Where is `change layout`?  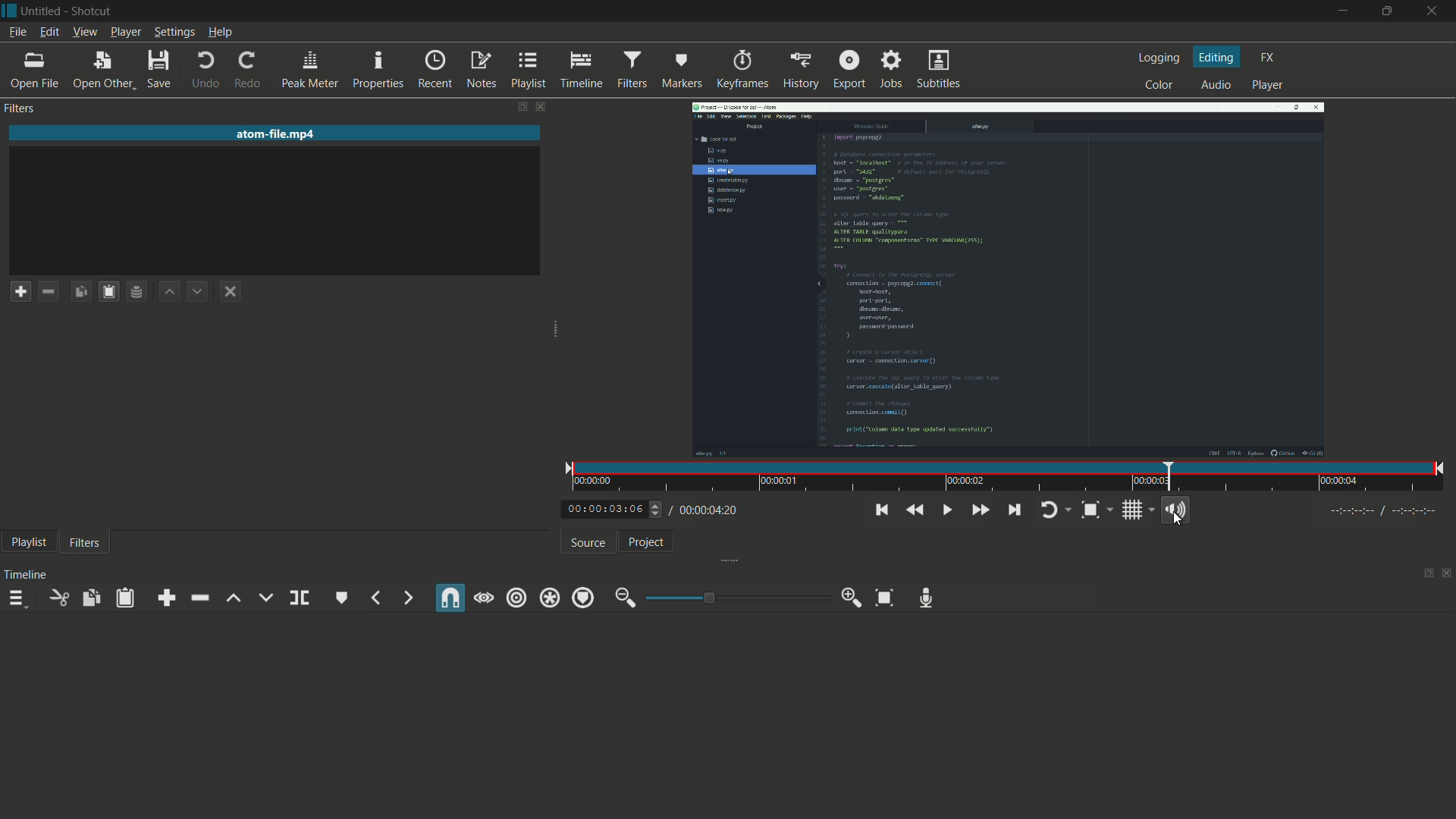
change layout is located at coordinates (1426, 573).